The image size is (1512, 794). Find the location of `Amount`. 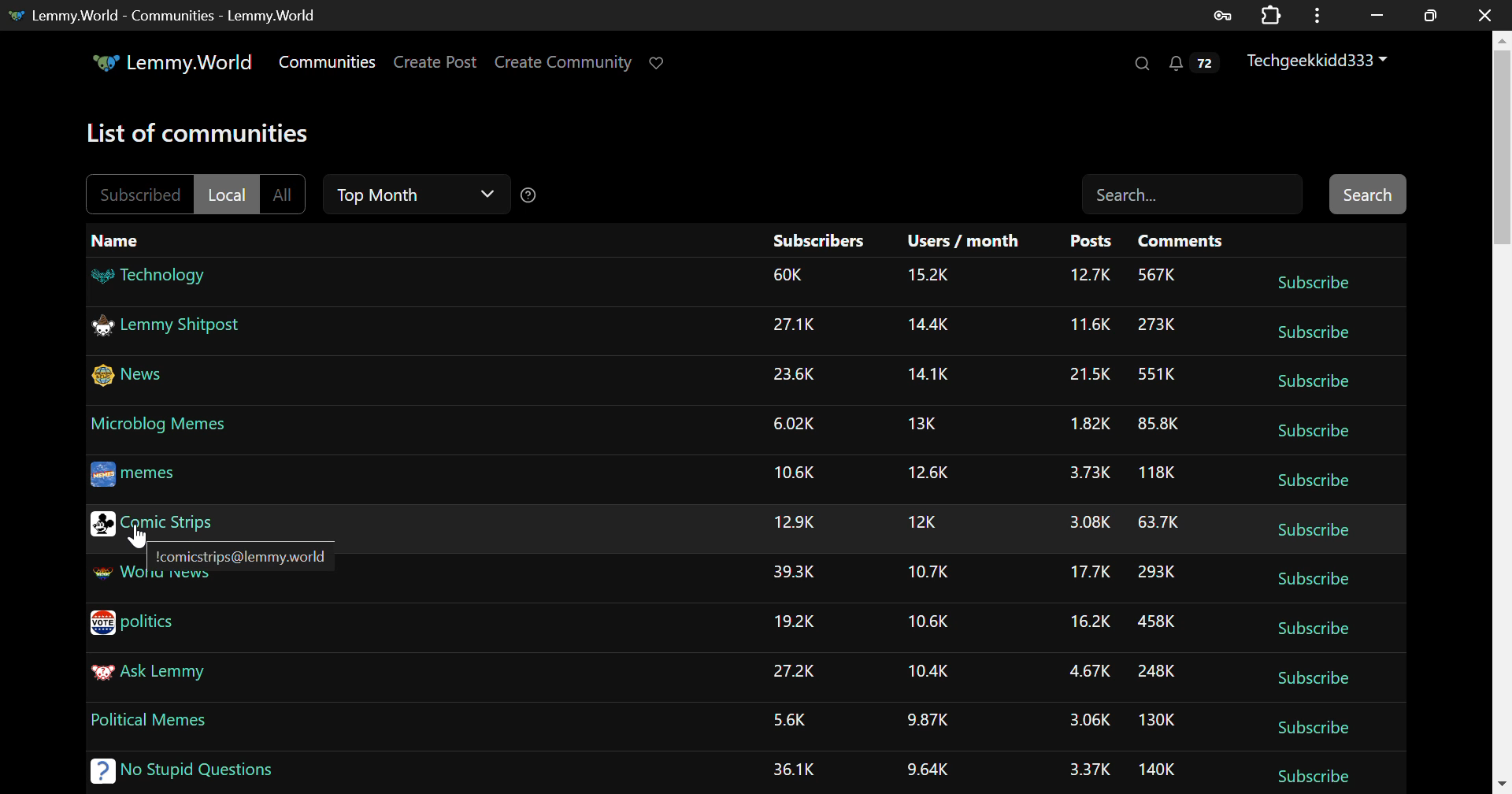

Amount is located at coordinates (1086, 621).